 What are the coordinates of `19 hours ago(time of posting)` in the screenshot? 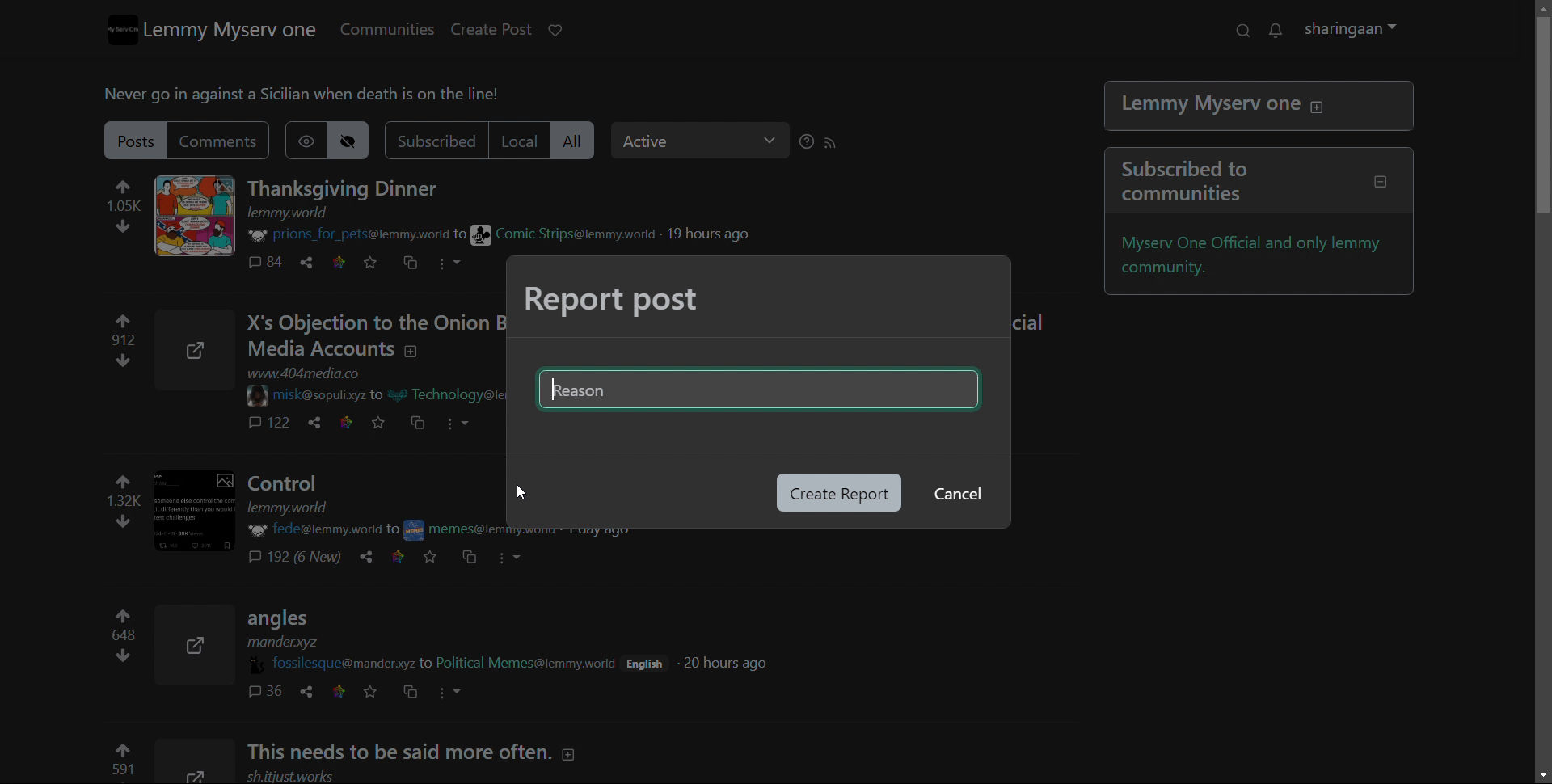 It's located at (718, 233).